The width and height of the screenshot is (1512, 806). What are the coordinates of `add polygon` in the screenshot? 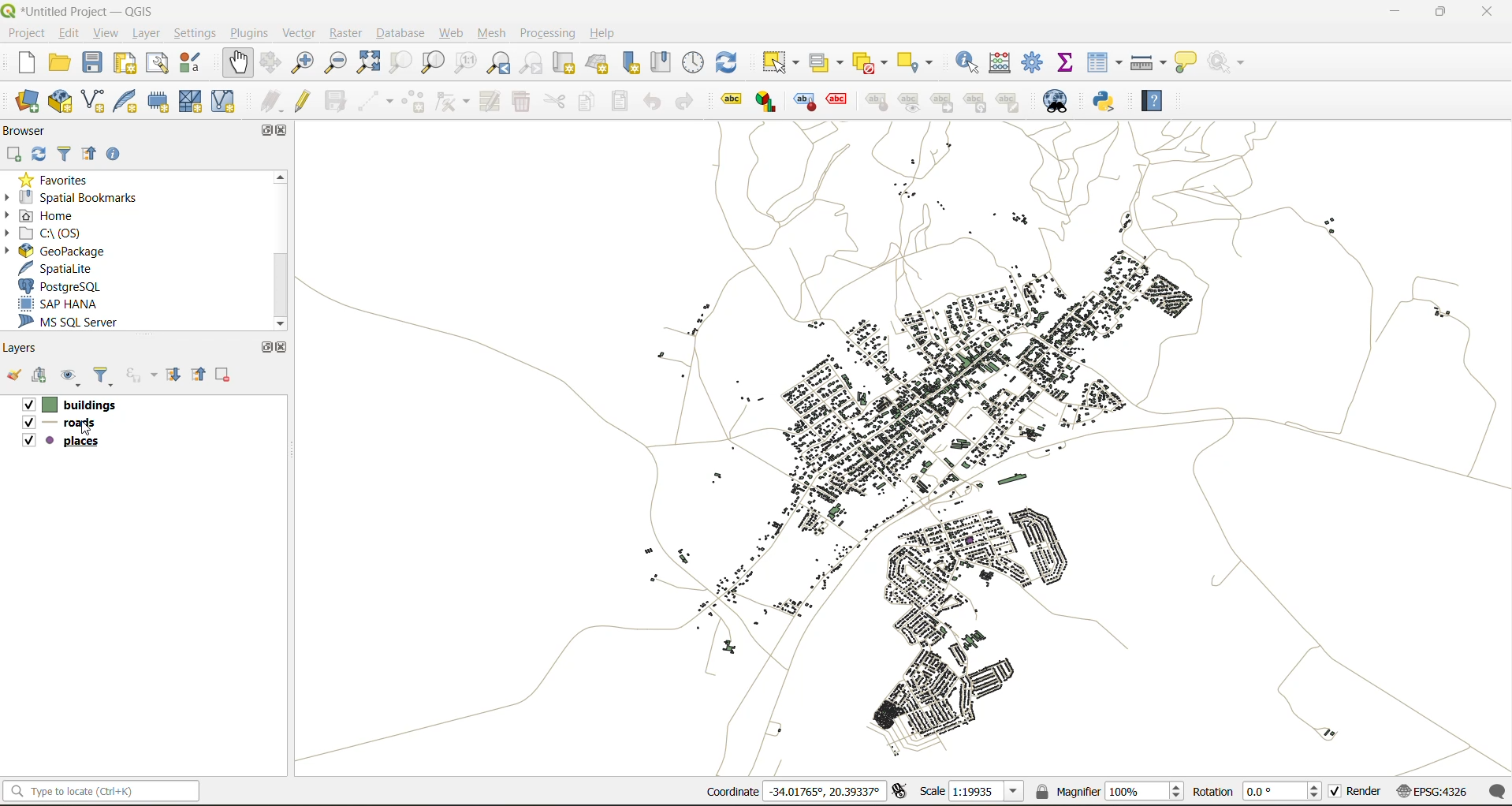 It's located at (415, 102).